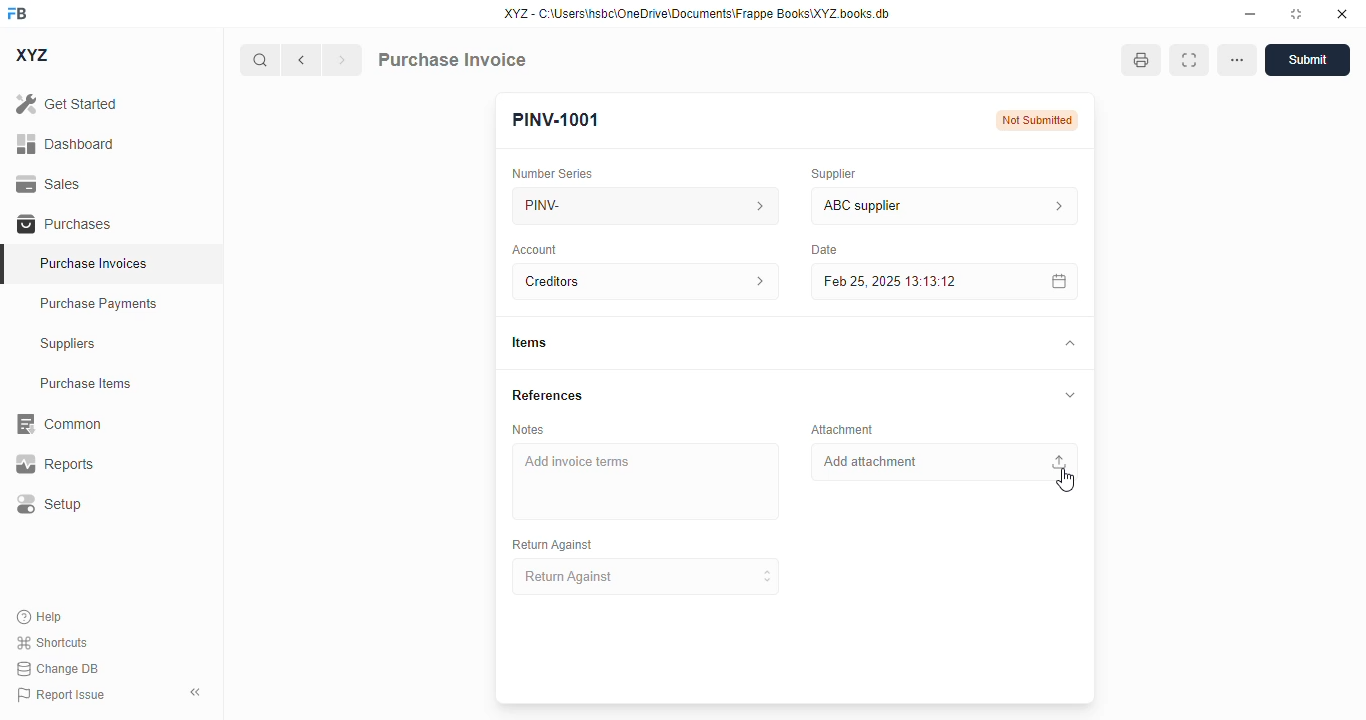 The image size is (1366, 720). I want to click on return against, so click(551, 545).